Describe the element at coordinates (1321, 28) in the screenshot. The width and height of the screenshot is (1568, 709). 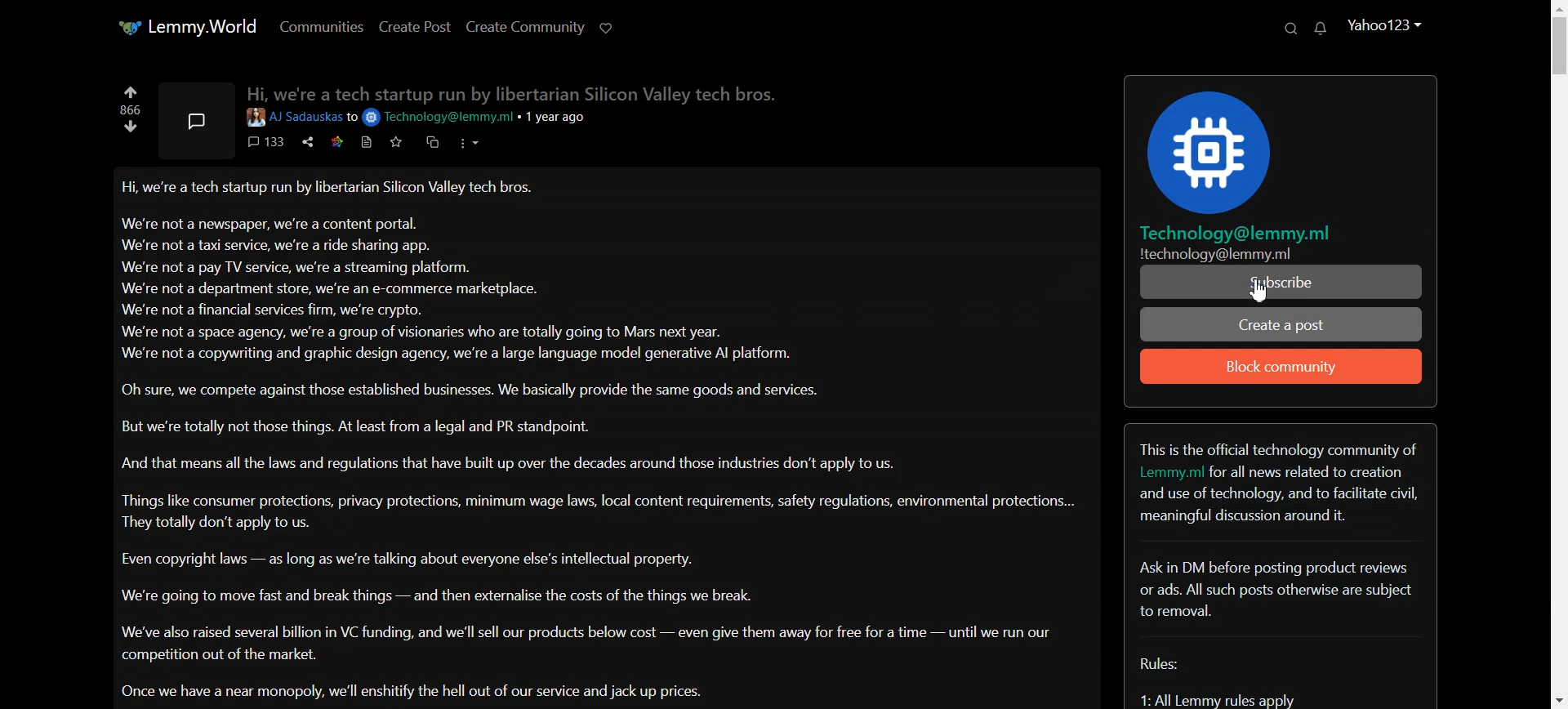
I see `Notification` at that location.